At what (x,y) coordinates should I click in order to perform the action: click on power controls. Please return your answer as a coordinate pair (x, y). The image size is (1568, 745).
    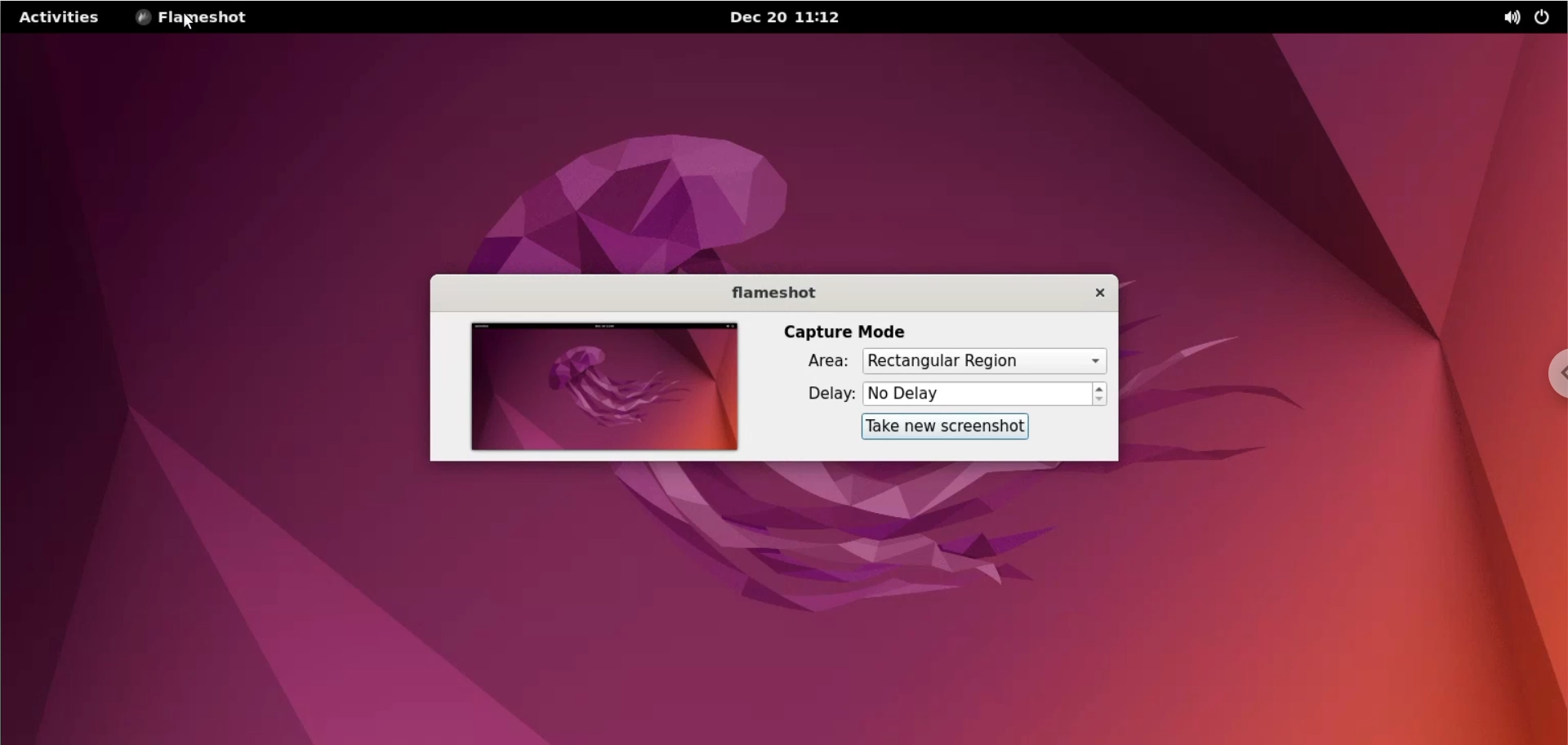
    Looking at the image, I should click on (1545, 19).